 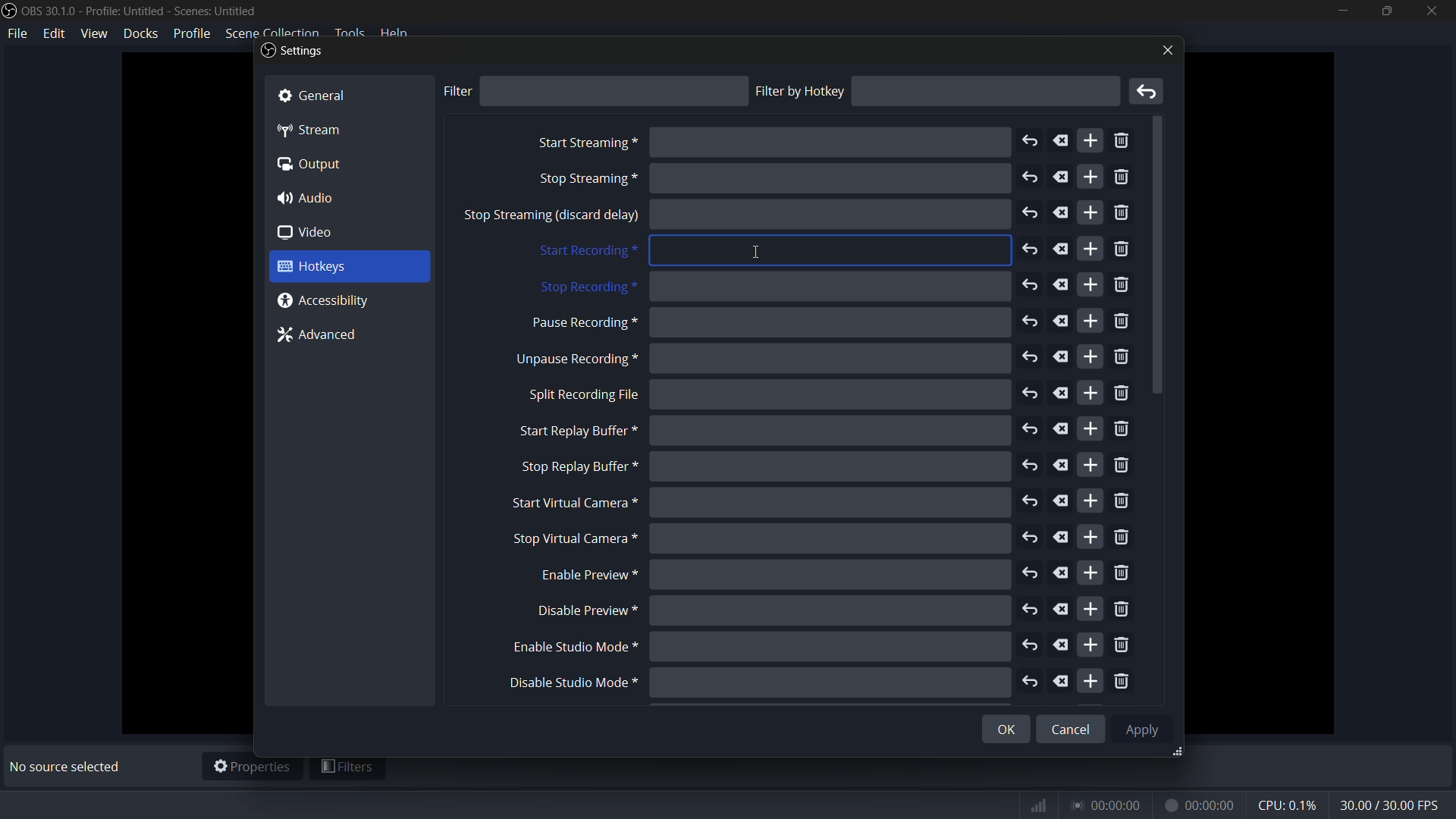 I want to click on & General, so click(x=327, y=93).